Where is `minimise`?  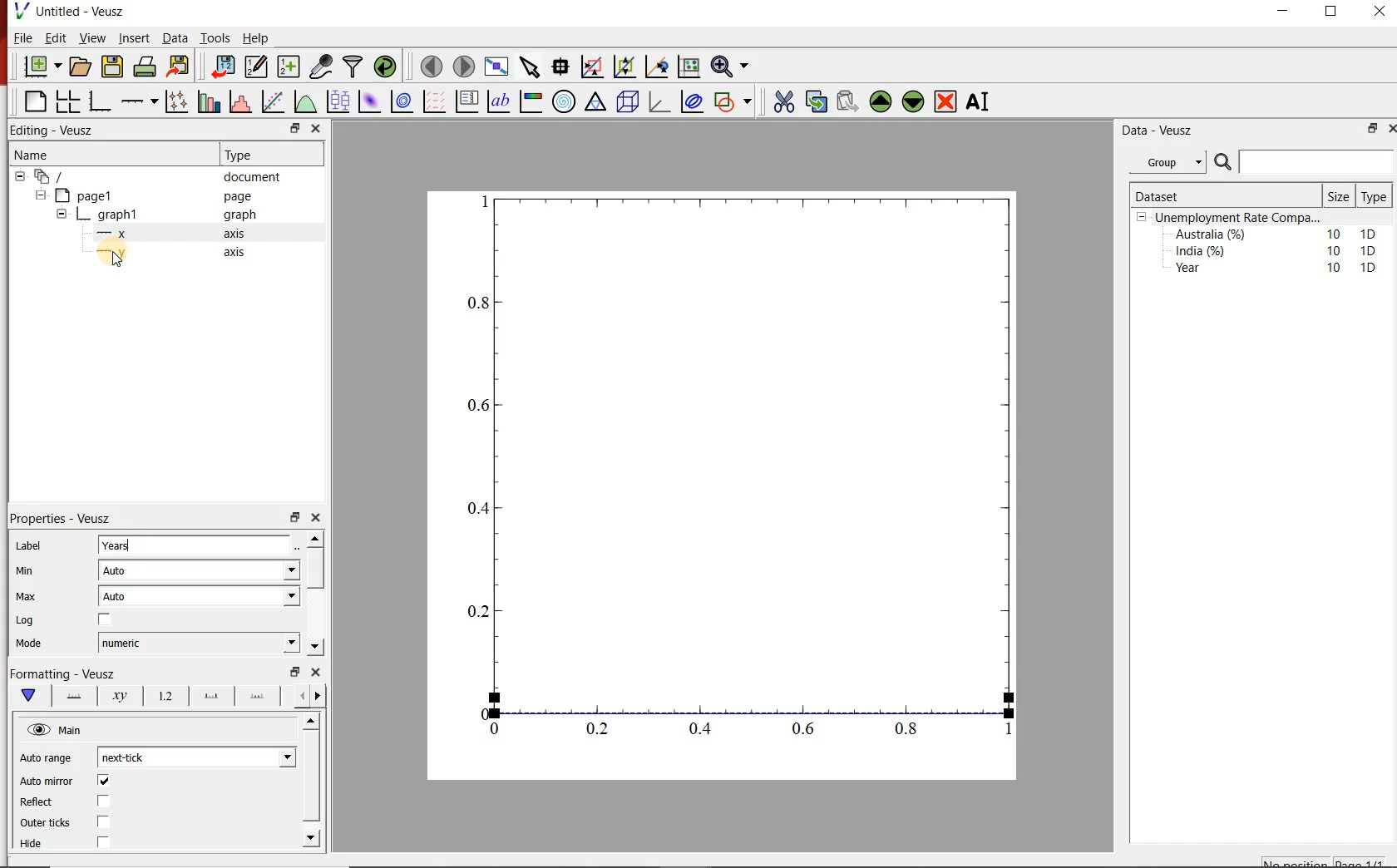 minimise is located at coordinates (297, 128).